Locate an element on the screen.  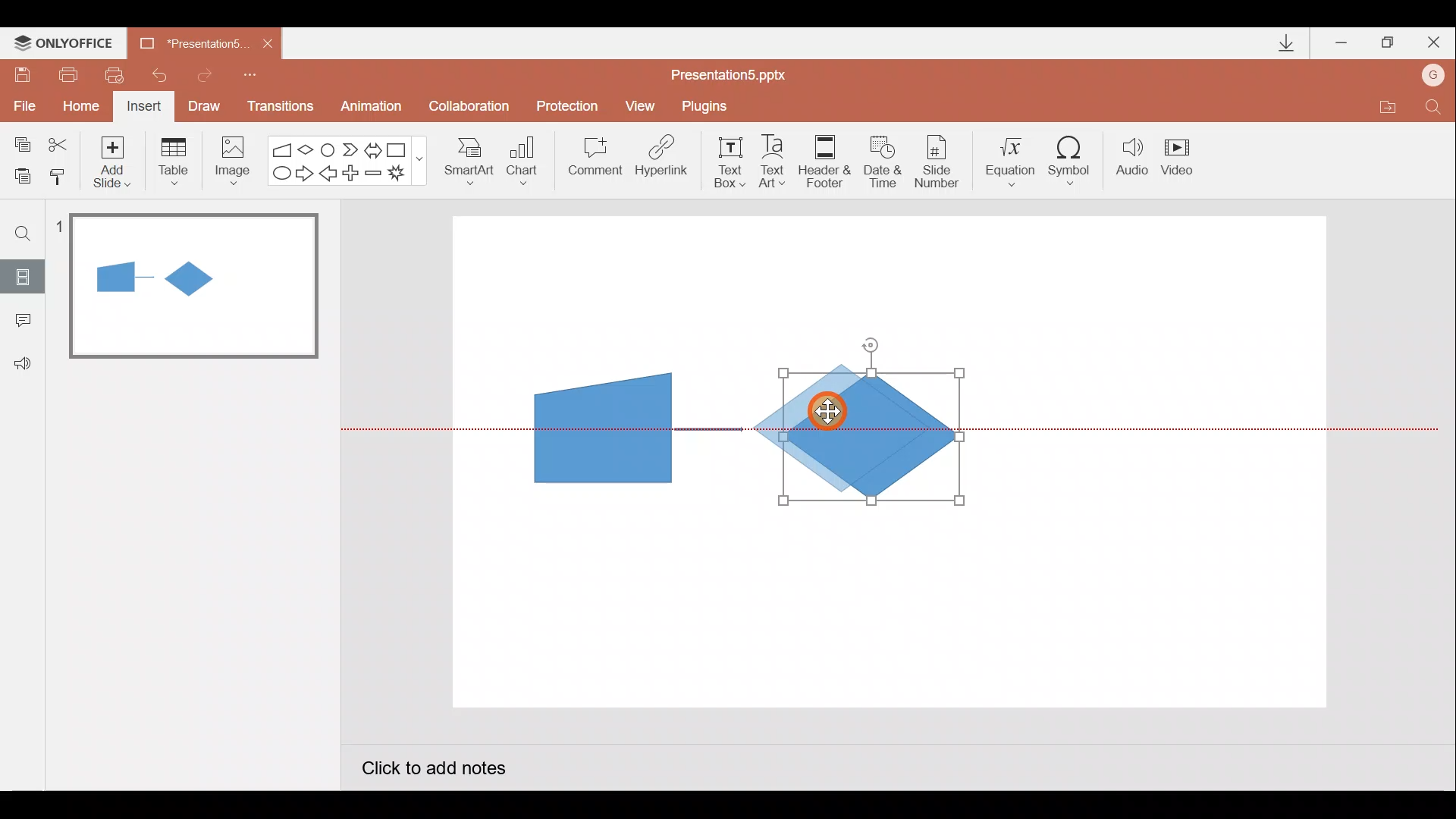
Downloads is located at coordinates (1284, 44).